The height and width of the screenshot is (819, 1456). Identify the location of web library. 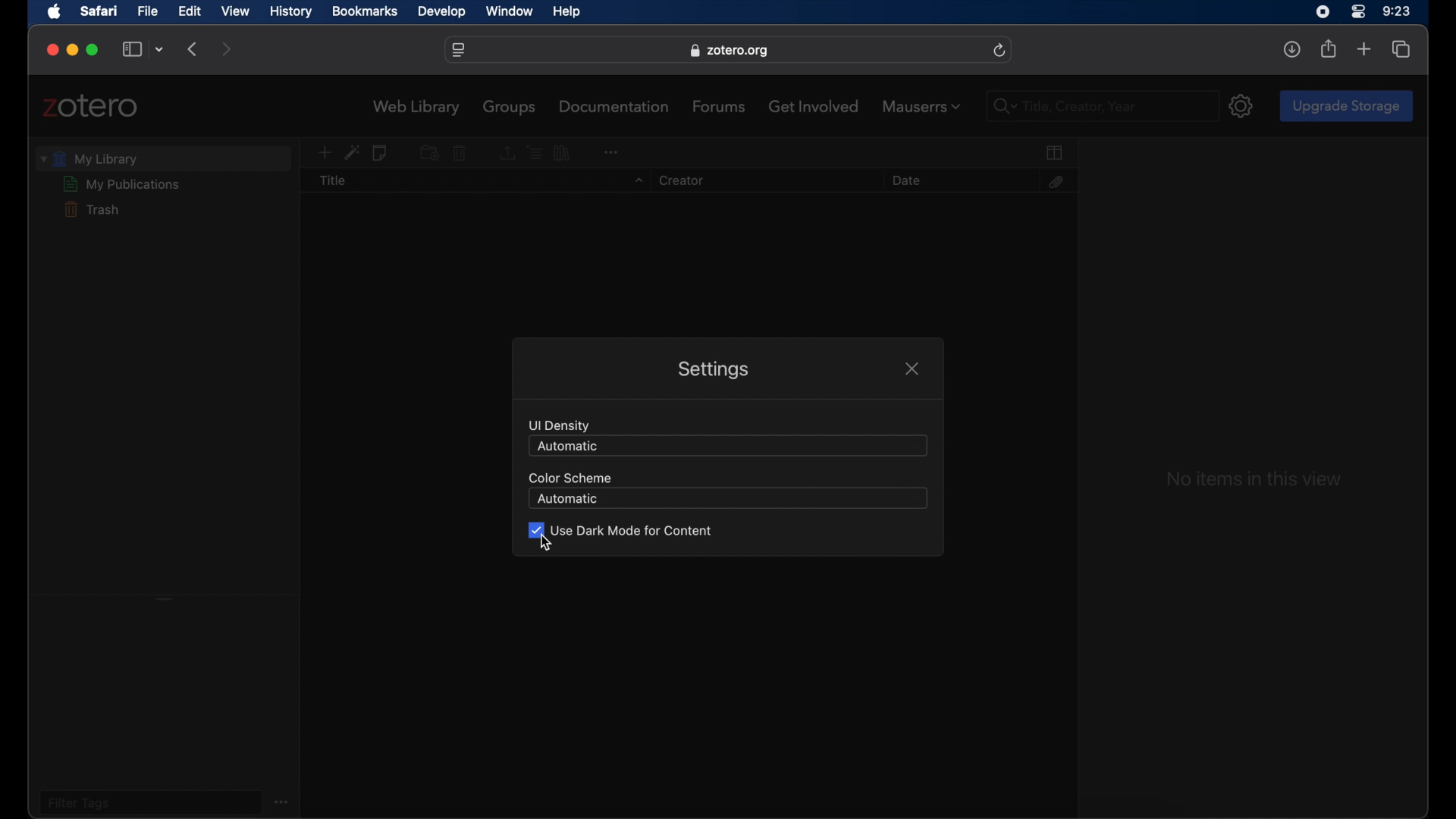
(417, 108).